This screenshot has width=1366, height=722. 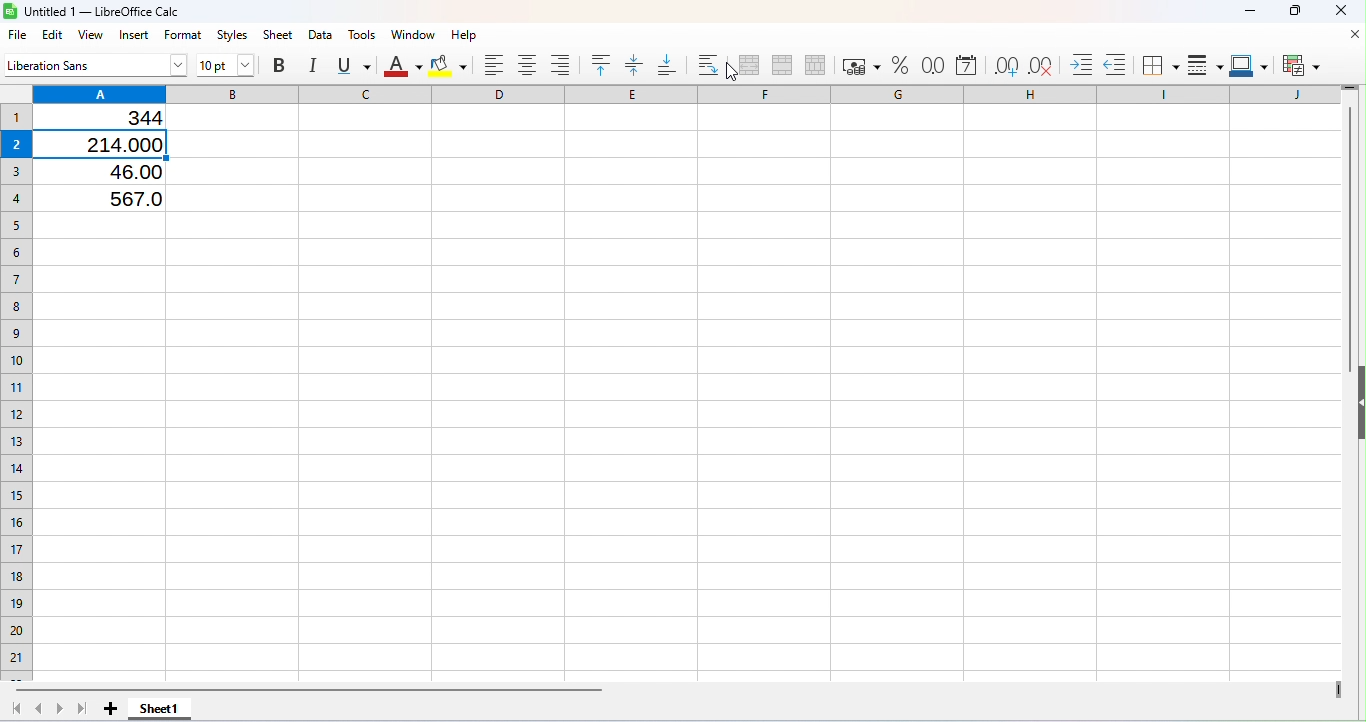 What do you see at coordinates (122, 171) in the screenshot?
I see `46.00` at bounding box center [122, 171].